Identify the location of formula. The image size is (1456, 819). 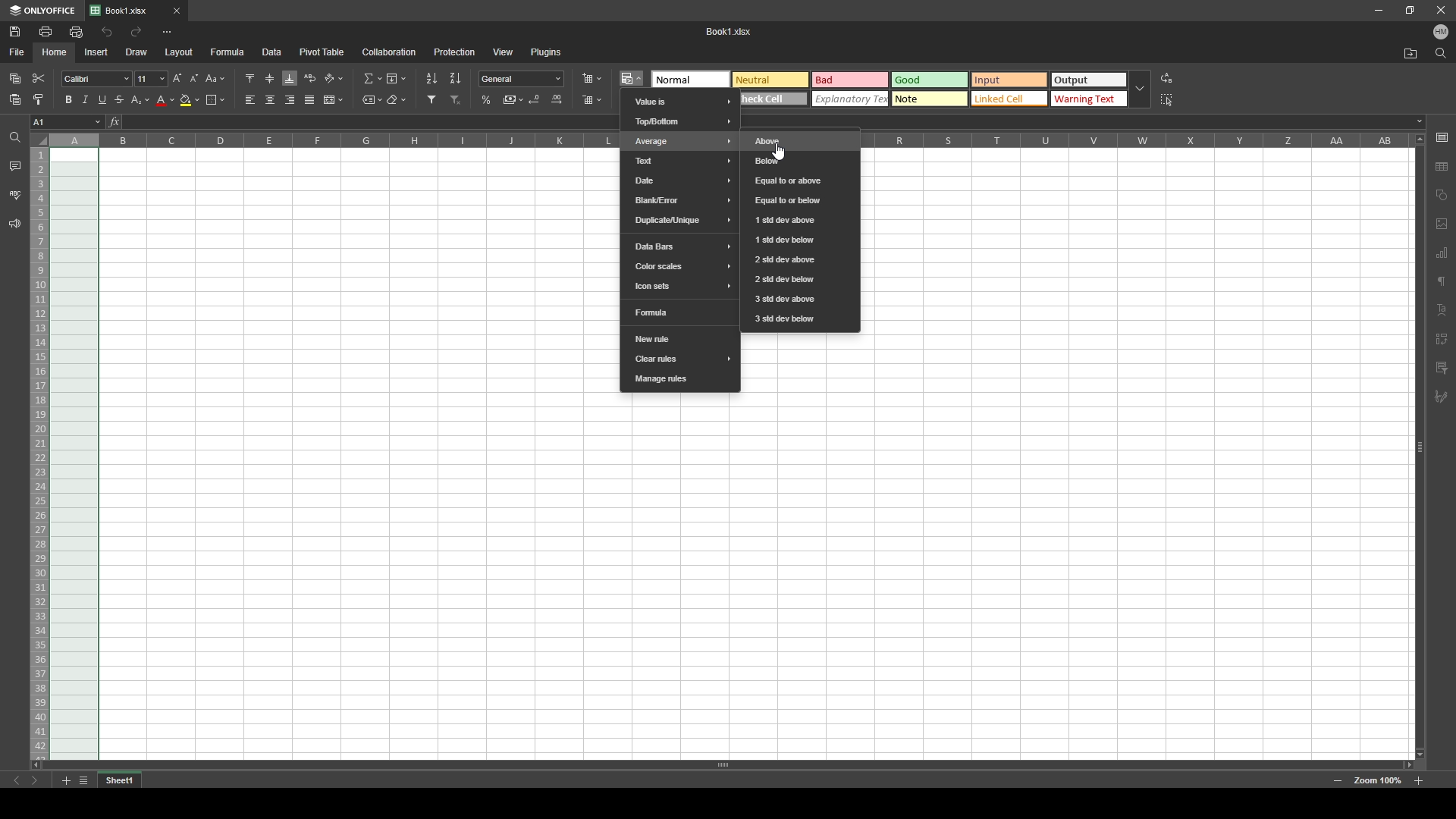
(682, 313).